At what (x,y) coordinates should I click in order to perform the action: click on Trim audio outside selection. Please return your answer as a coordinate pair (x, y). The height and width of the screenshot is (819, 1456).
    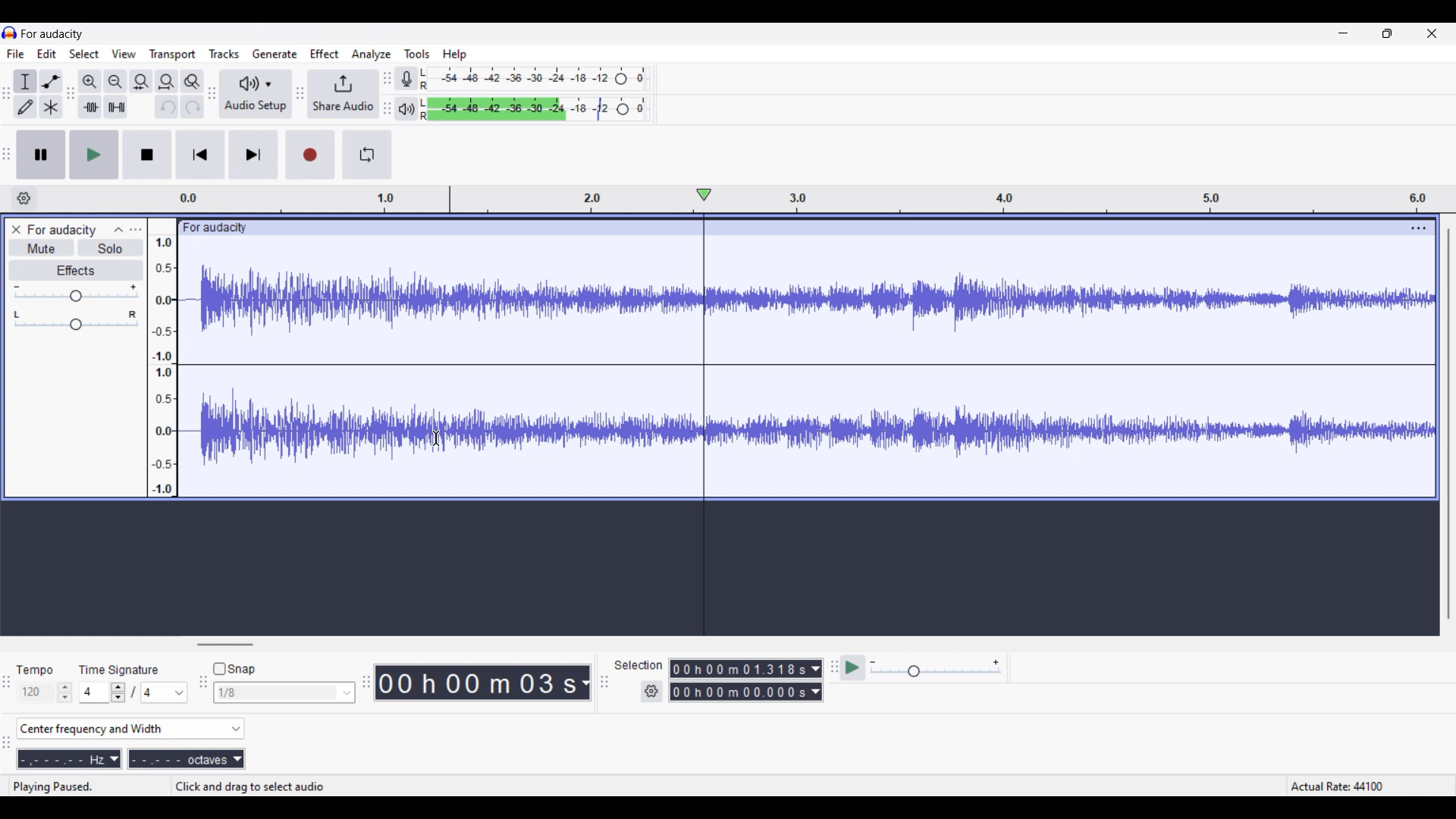
    Looking at the image, I should click on (90, 107).